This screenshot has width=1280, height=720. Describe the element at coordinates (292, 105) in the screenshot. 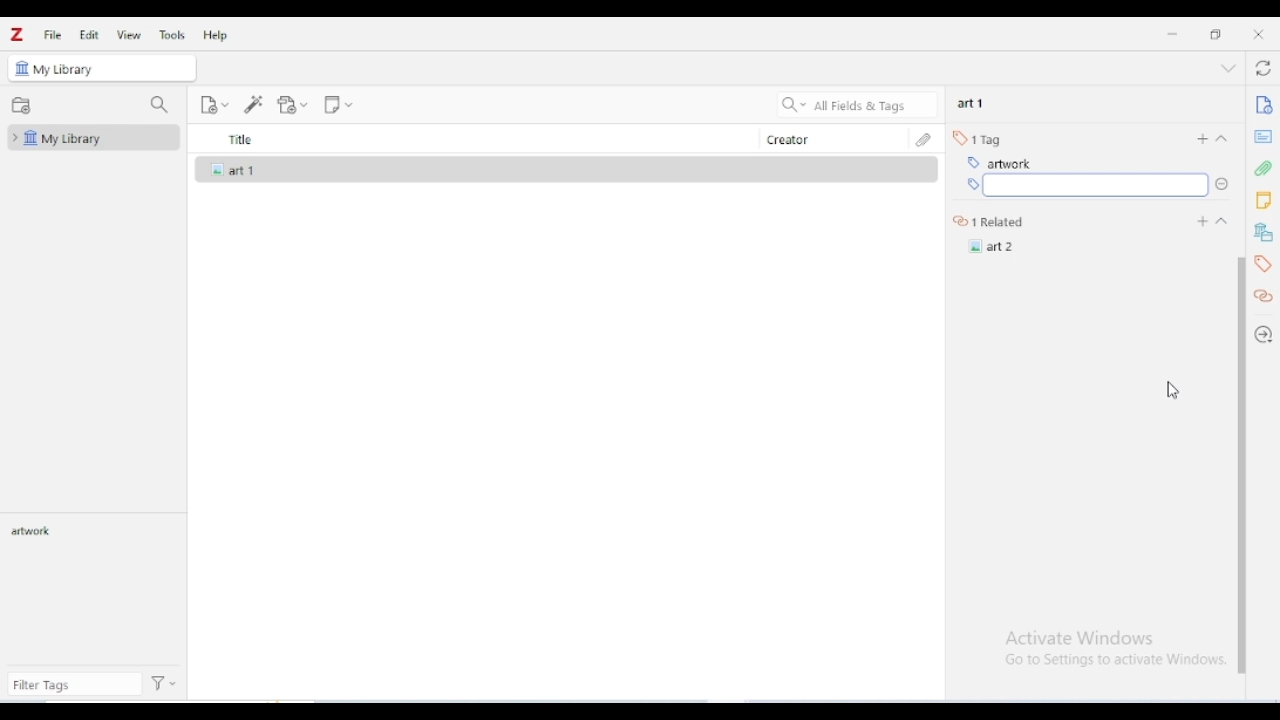

I see `add attachment` at that location.